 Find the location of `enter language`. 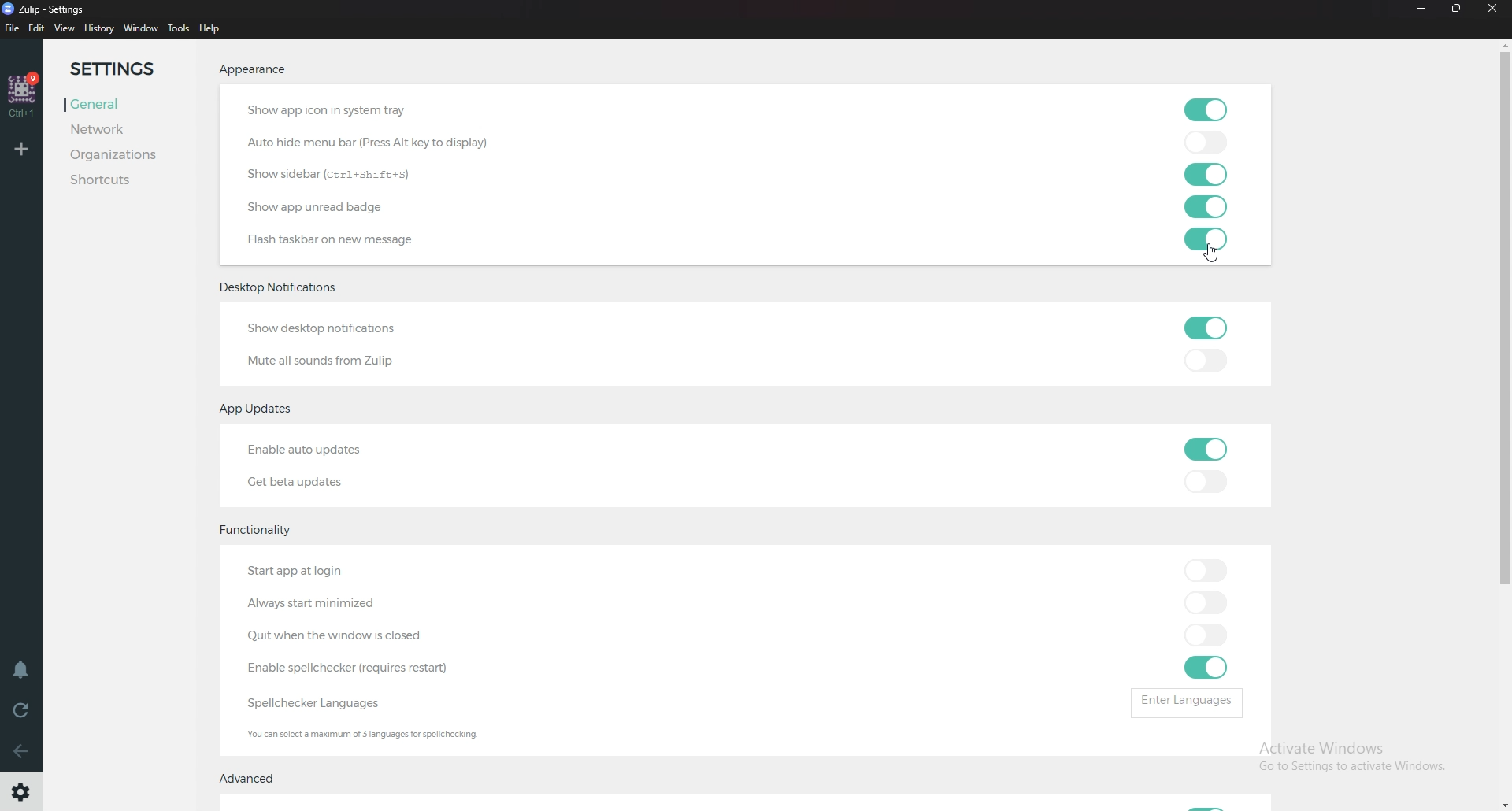

enter language is located at coordinates (1191, 702).